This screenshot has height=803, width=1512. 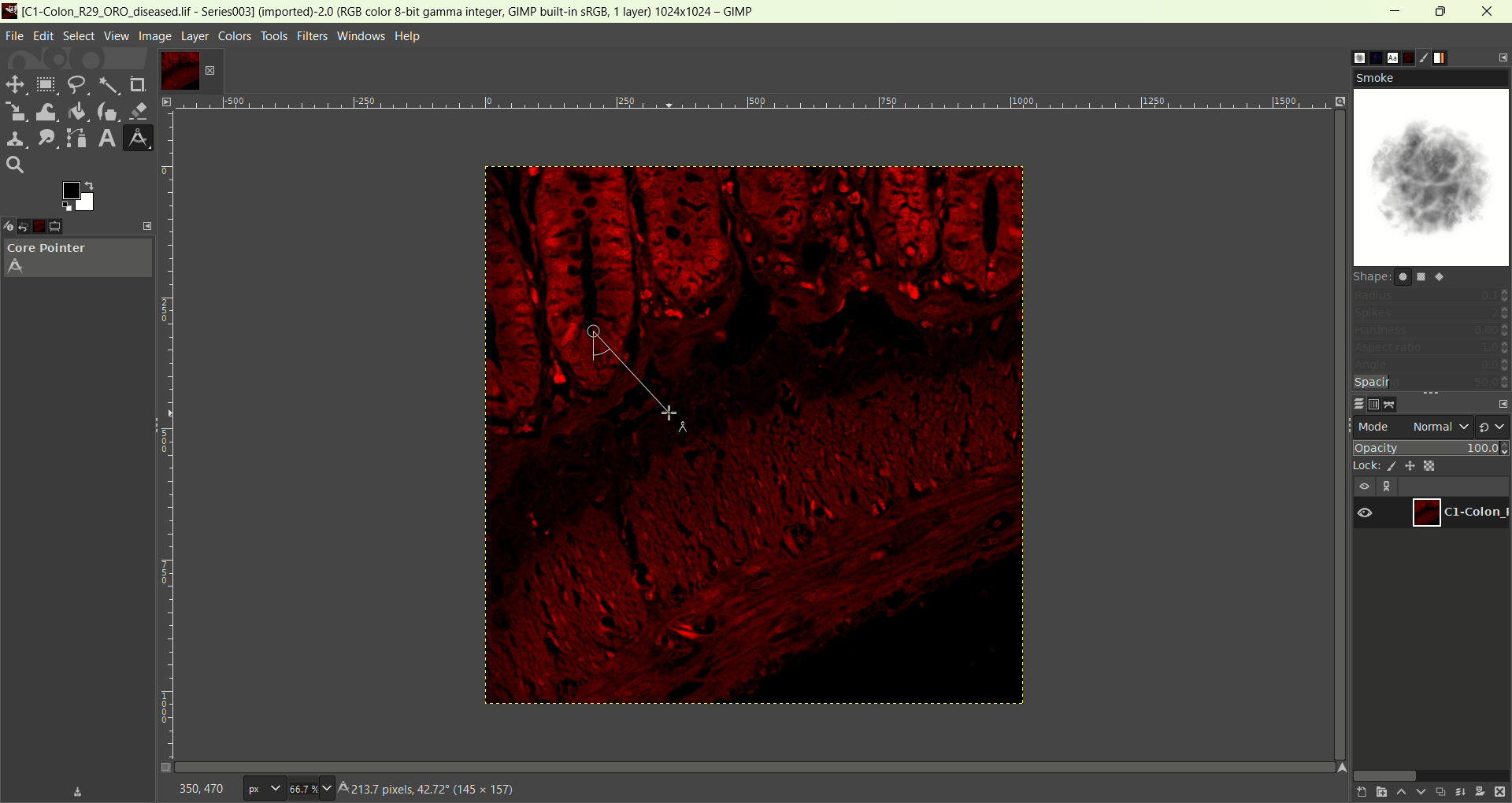 I want to click on fuzzy select tool, so click(x=109, y=87).